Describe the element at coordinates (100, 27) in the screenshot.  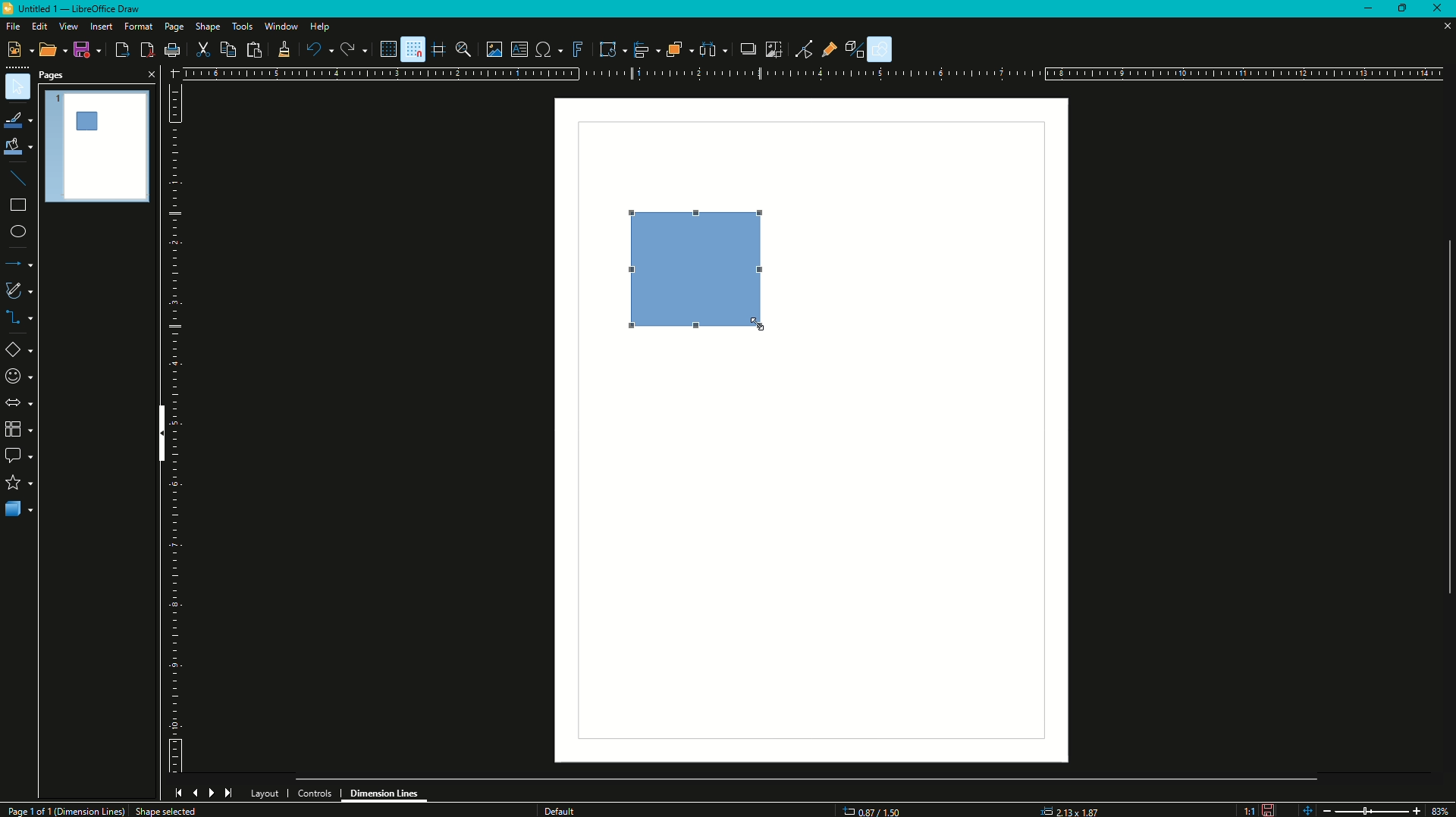
I see `Insert` at that location.